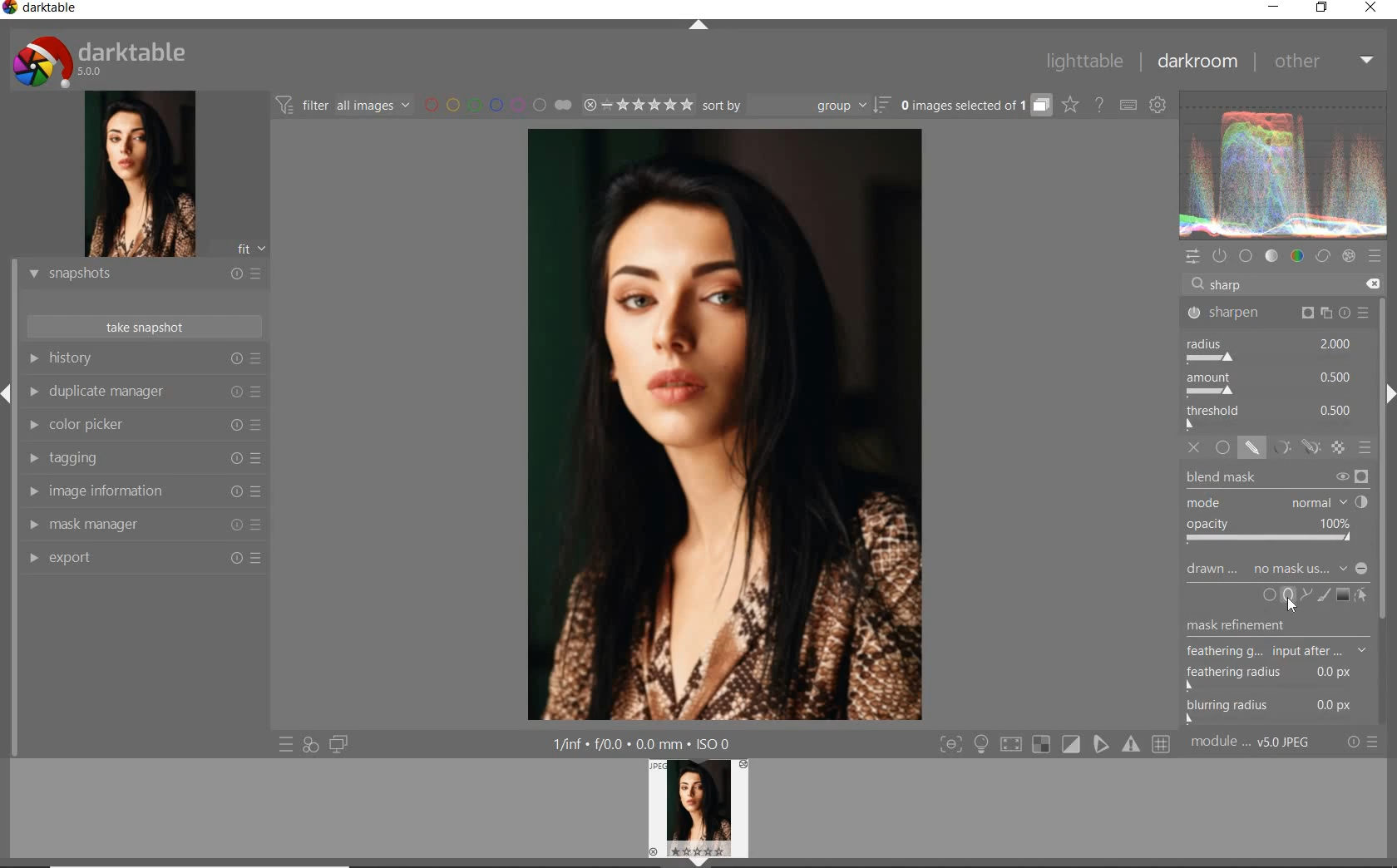 This screenshot has width=1397, height=868. What do you see at coordinates (1251, 741) in the screenshot?
I see `module..v50JPEG` at bounding box center [1251, 741].